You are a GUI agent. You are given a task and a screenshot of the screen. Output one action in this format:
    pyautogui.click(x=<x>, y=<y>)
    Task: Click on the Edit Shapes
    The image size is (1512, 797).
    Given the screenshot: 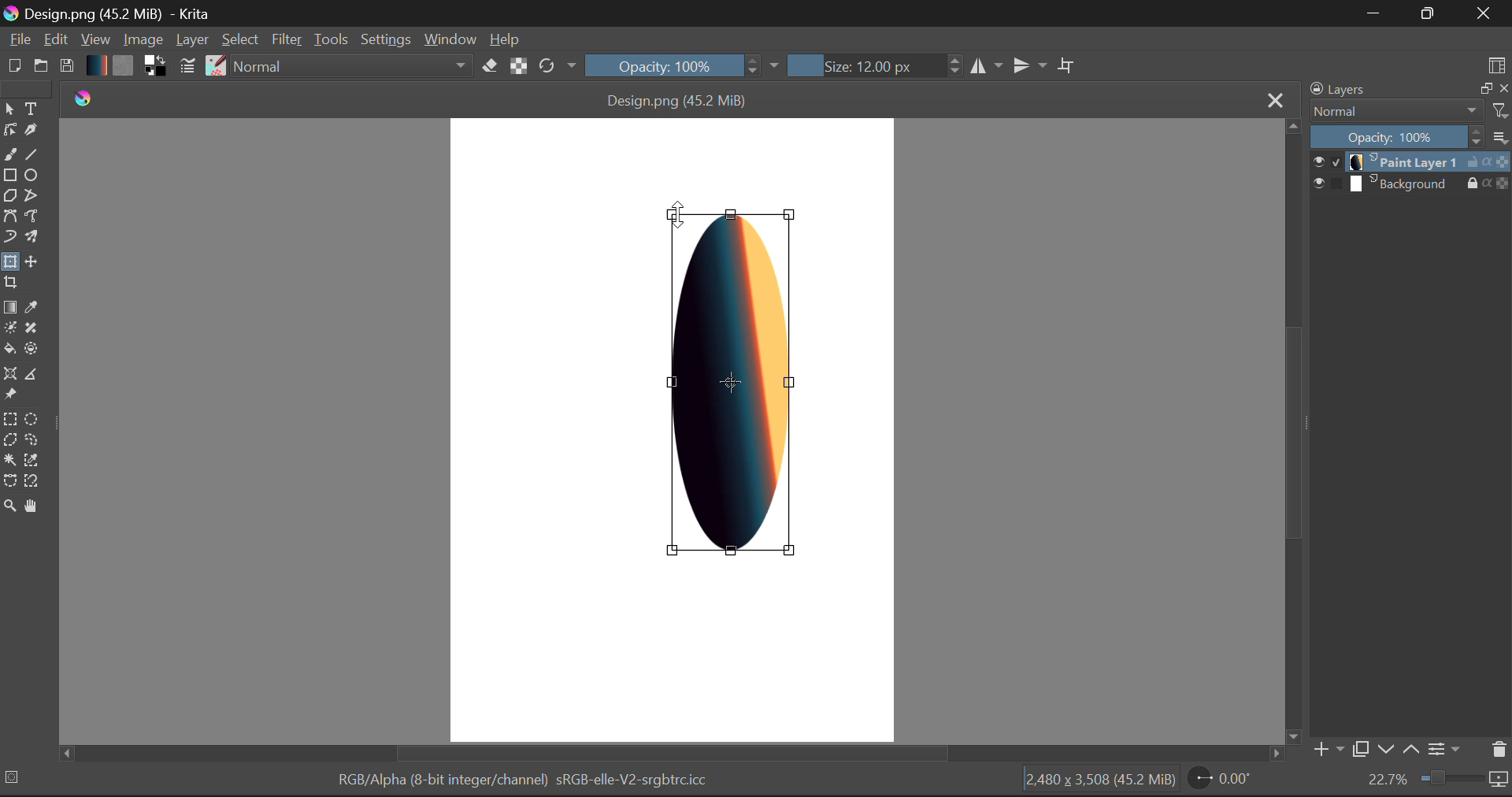 What is the action you would take?
    pyautogui.click(x=9, y=128)
    